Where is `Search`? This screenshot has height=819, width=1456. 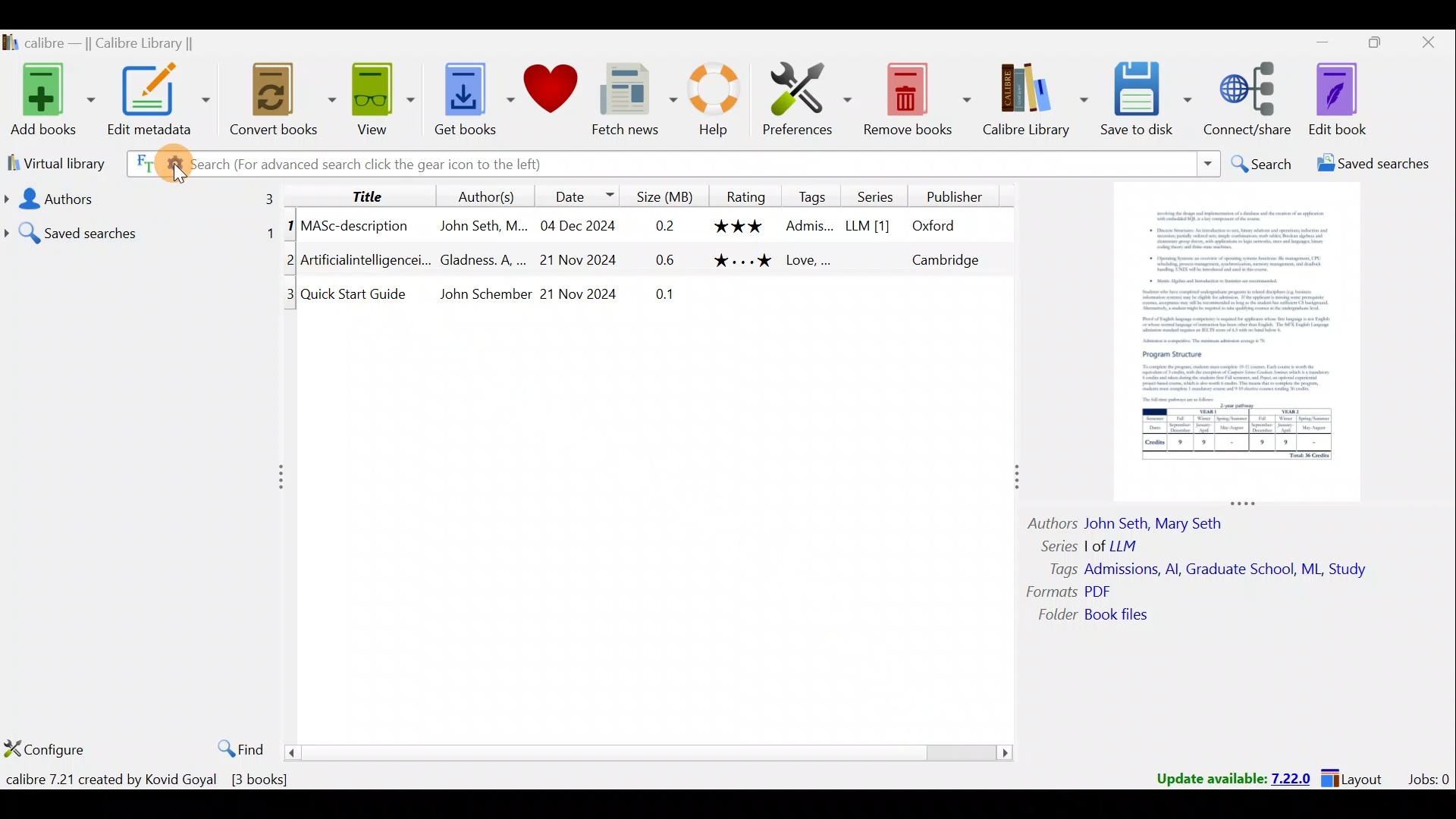 Search is located at coordinates (1260, 164).